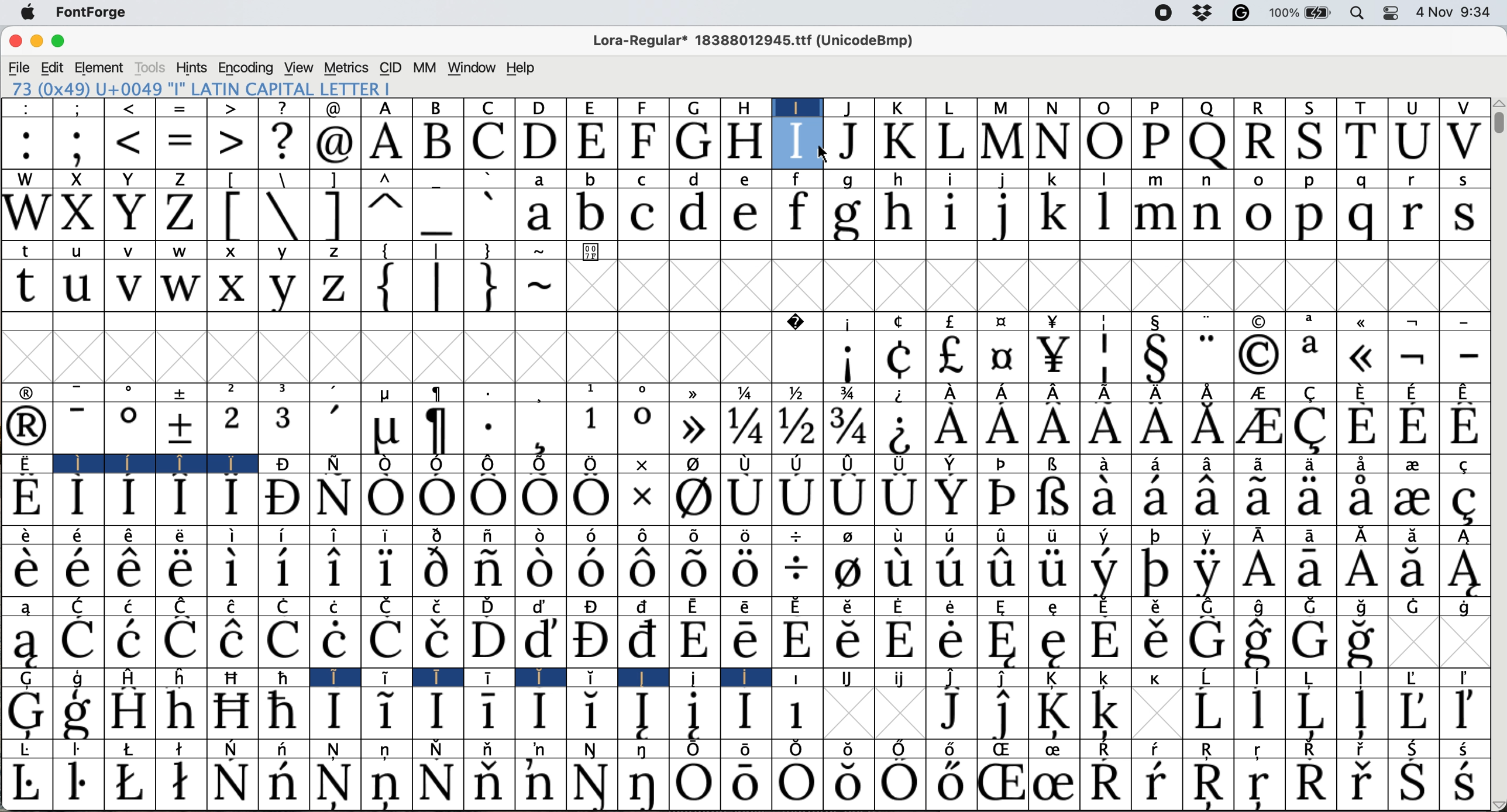  I want to click on F, so click(645, 143).